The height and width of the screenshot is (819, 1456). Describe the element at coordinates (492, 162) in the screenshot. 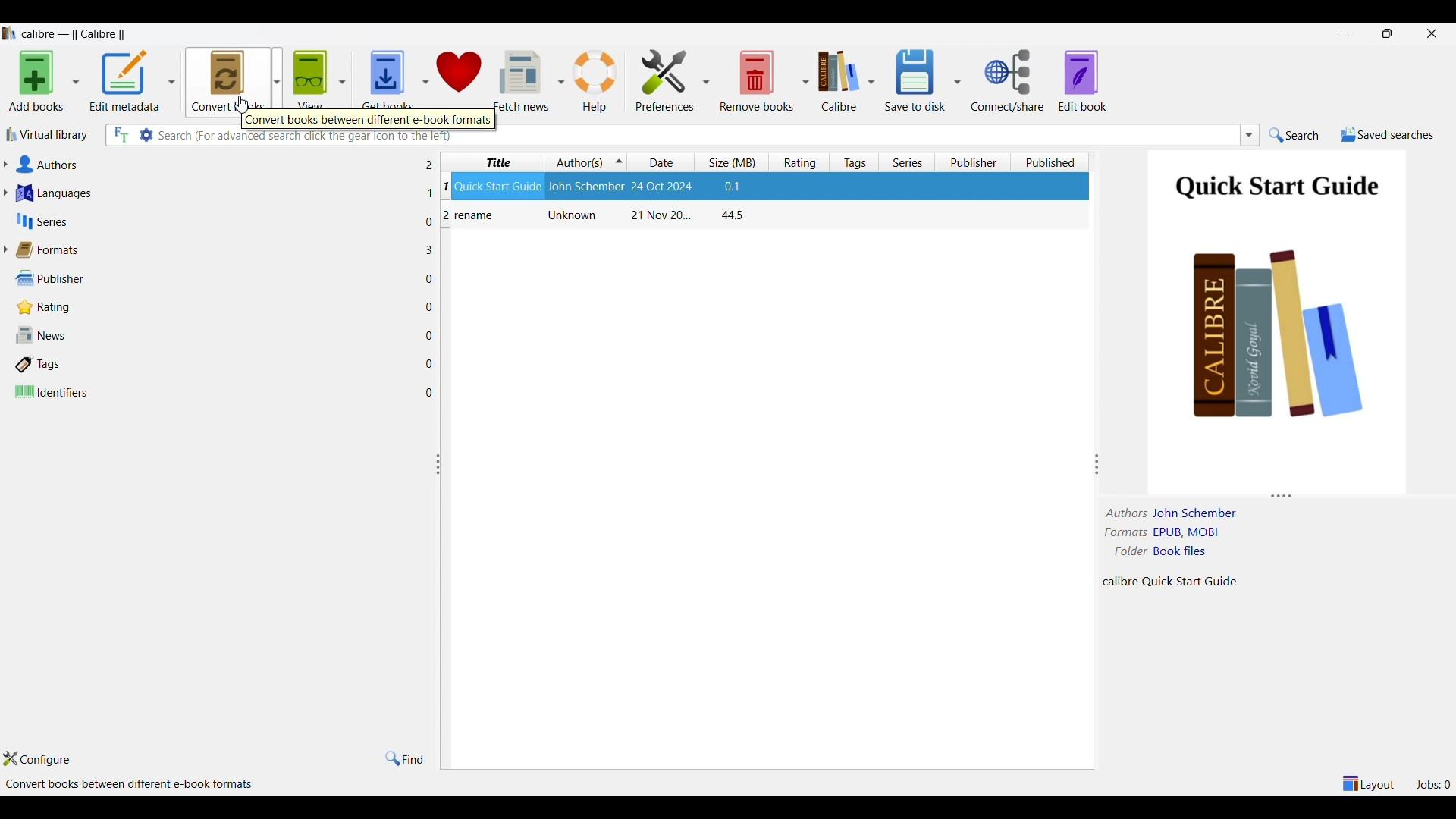

I see `Title column` at that location.